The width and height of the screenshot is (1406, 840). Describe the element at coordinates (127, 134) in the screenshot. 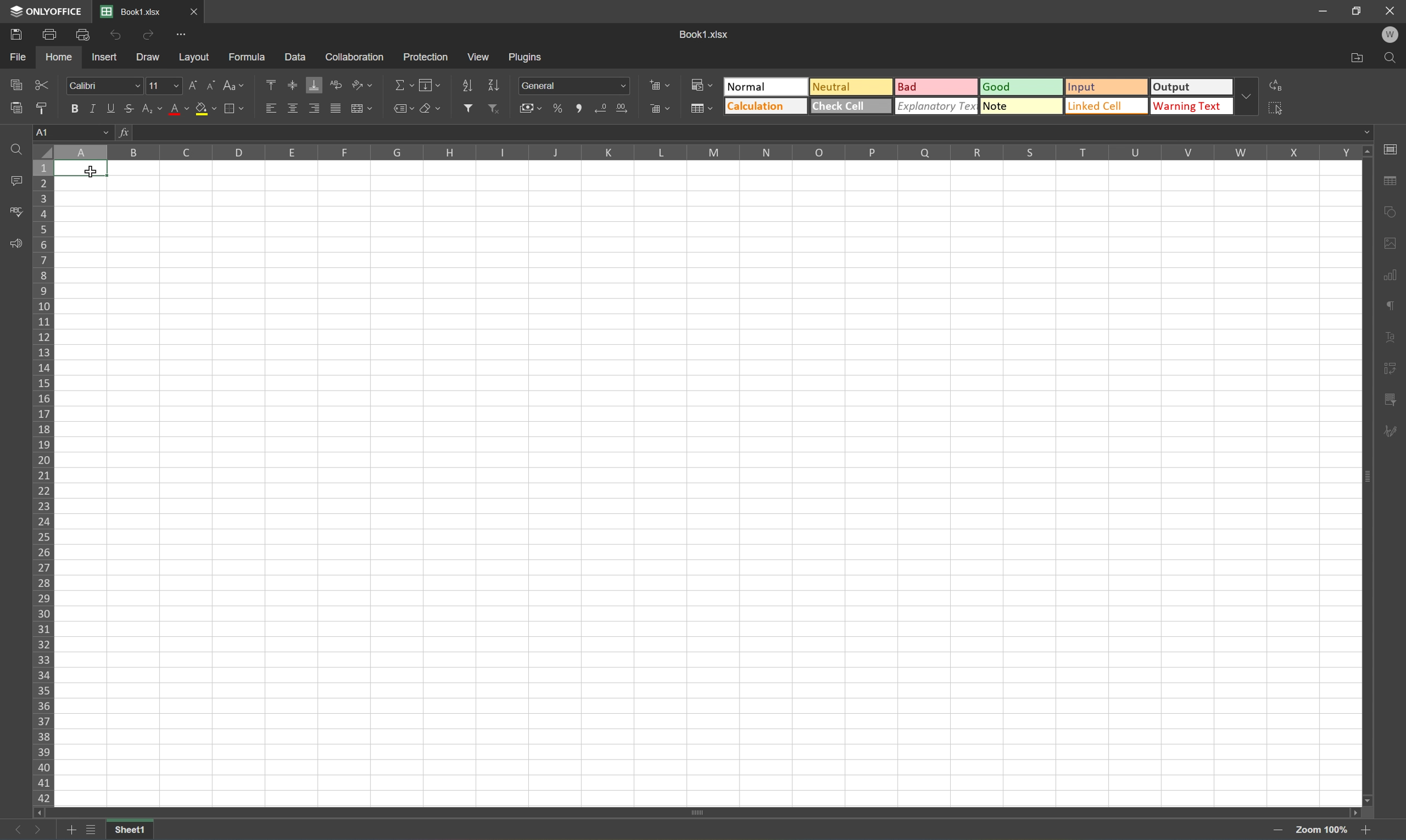

I see `fx` at that location.